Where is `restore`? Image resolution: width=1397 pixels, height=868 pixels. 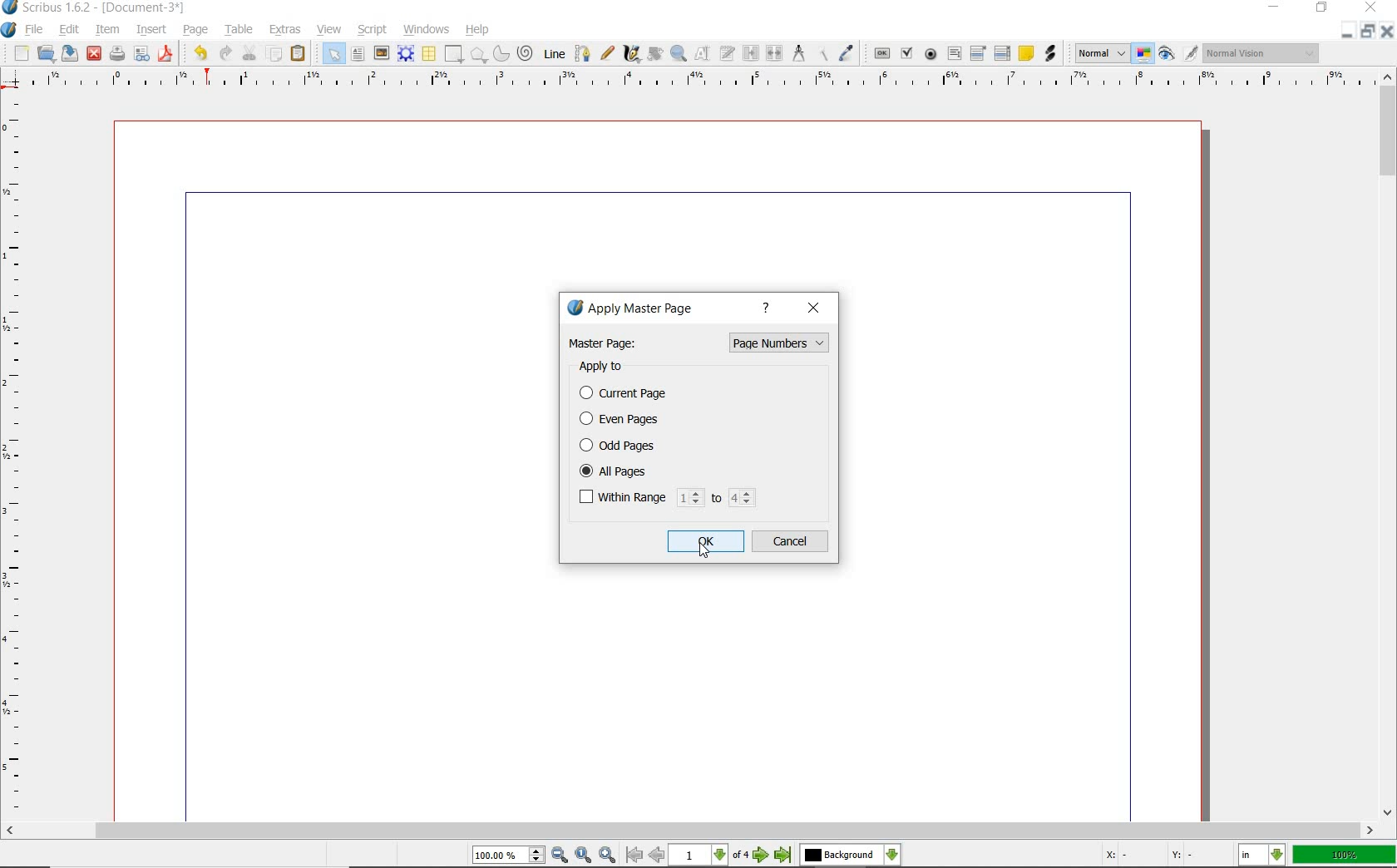
restore is located at coordinates (1321, 10).